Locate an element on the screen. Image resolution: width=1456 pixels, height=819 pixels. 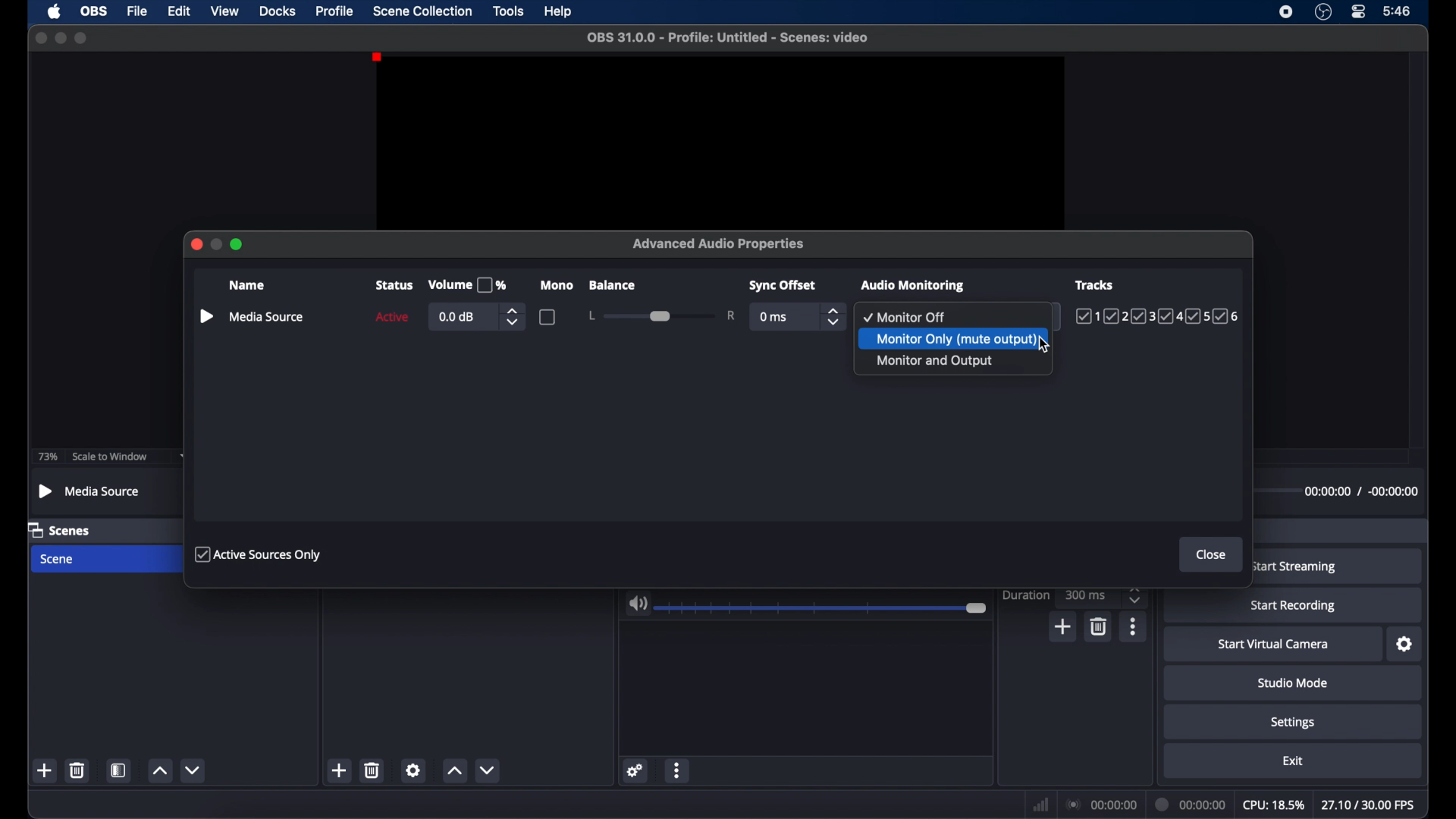
close is located at coordinates (1212, 554).